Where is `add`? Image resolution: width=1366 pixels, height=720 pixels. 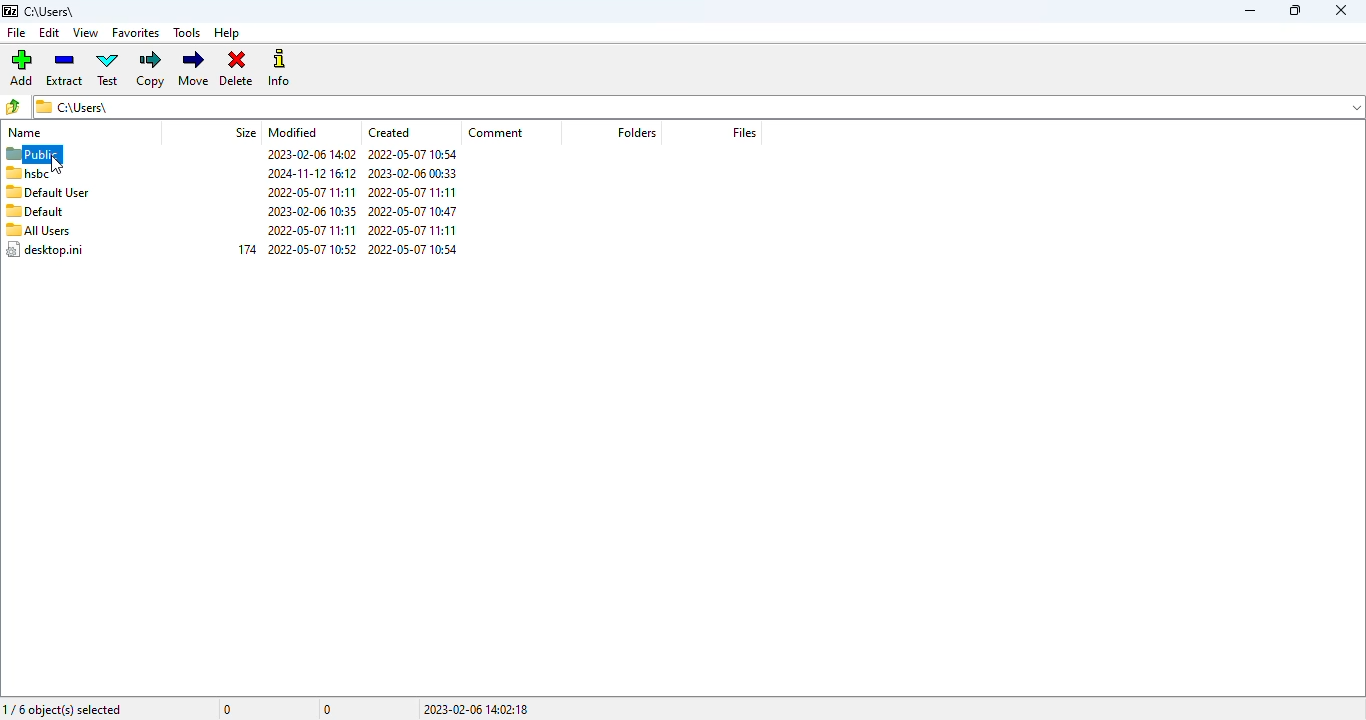 add is located at coordinates (21, 67).